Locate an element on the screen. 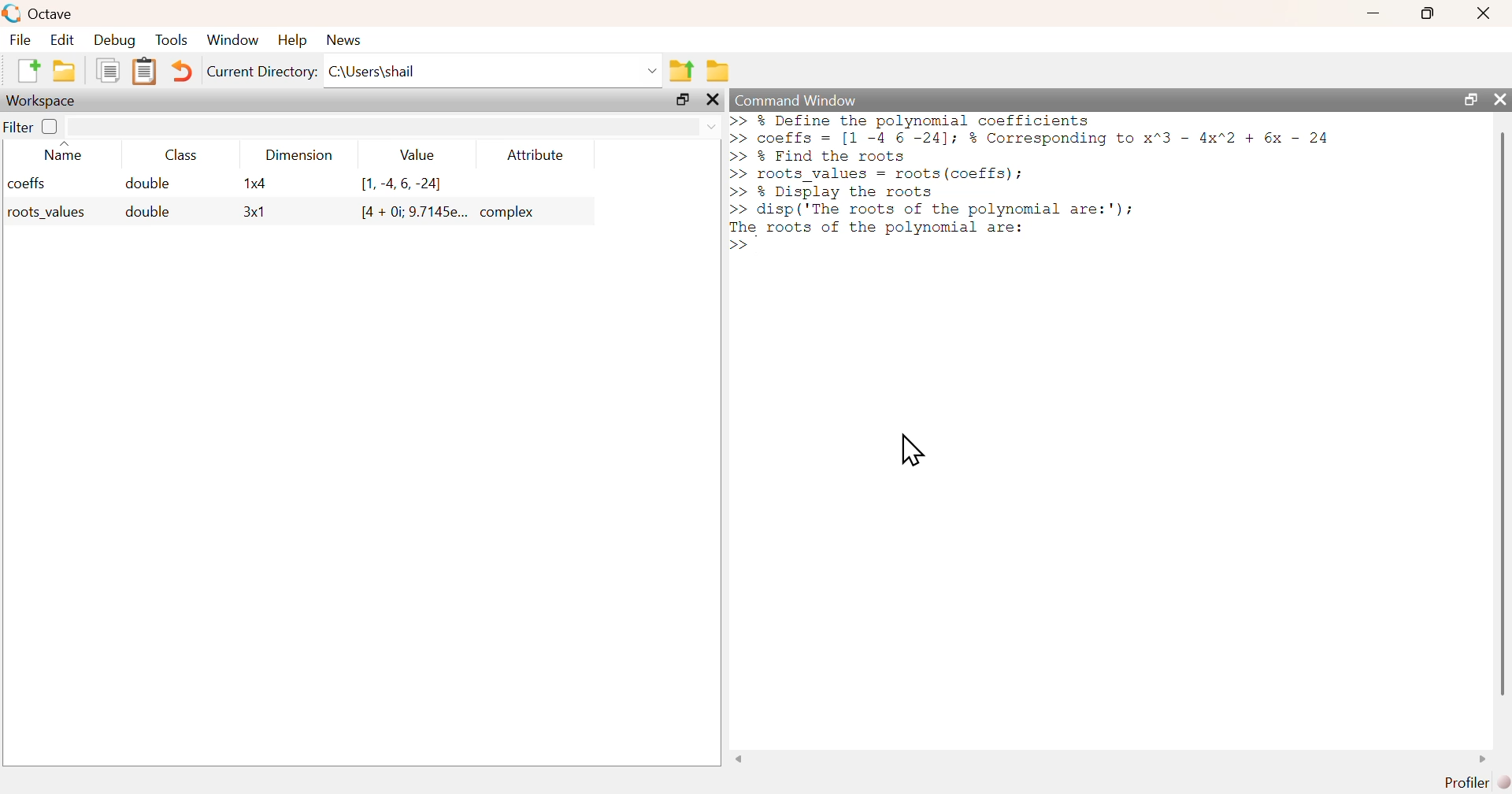 Image resolution: width=1512 pixels, height=794 pixels. close is located at coordinates (1483, 13).